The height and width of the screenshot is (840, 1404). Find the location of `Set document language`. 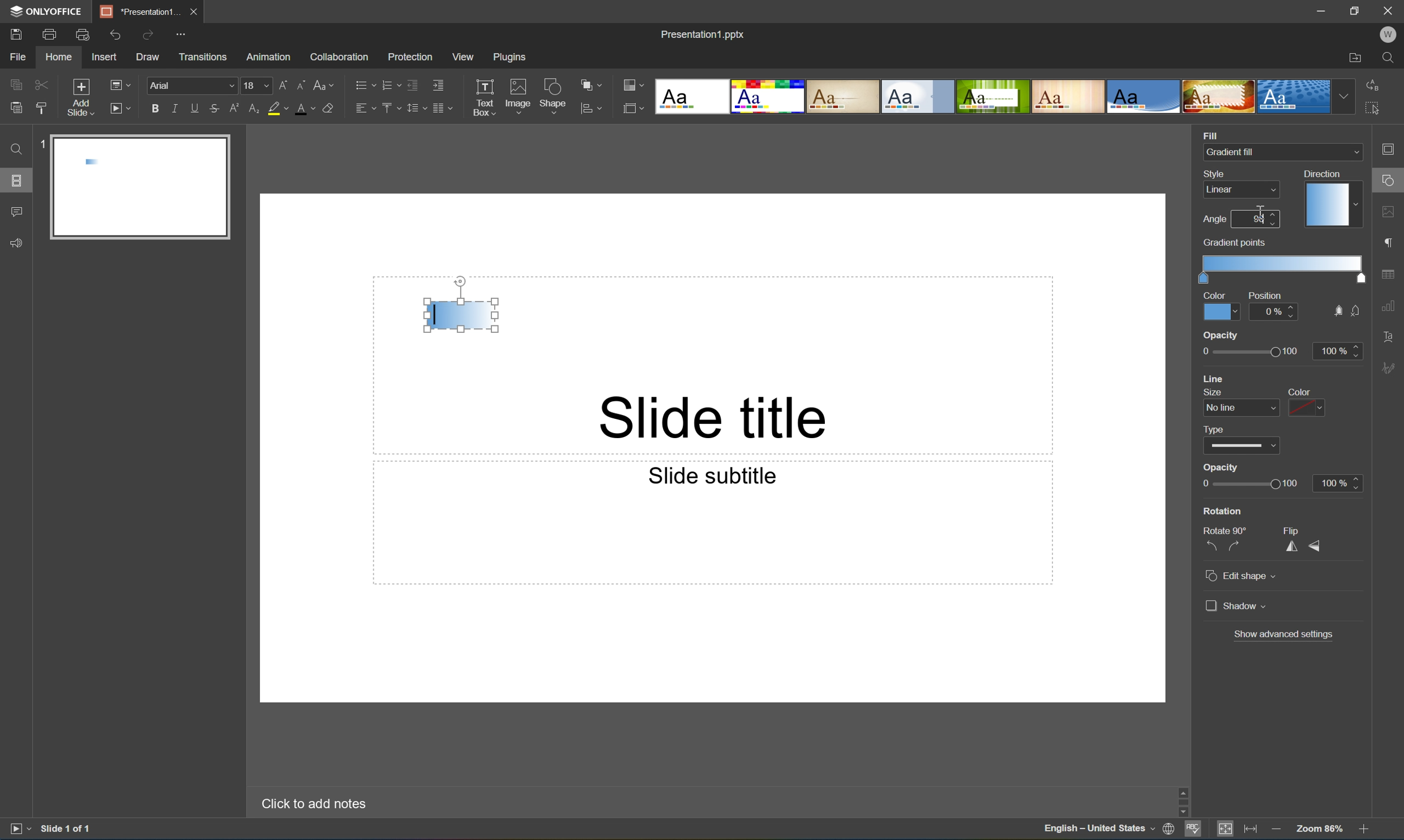

Set document language is located at coordinates (1171, 830).